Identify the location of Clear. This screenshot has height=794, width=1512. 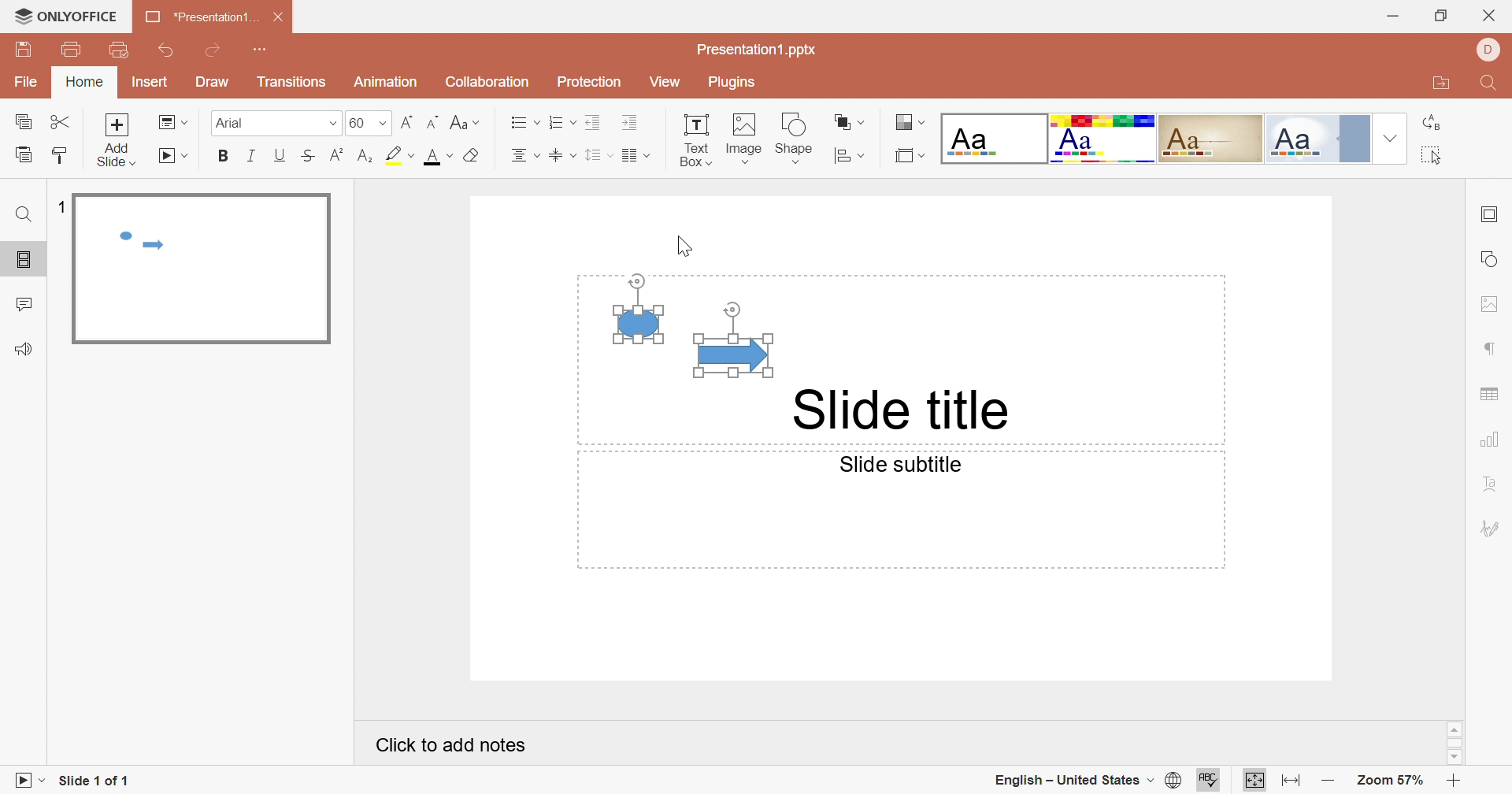
(473, 155).